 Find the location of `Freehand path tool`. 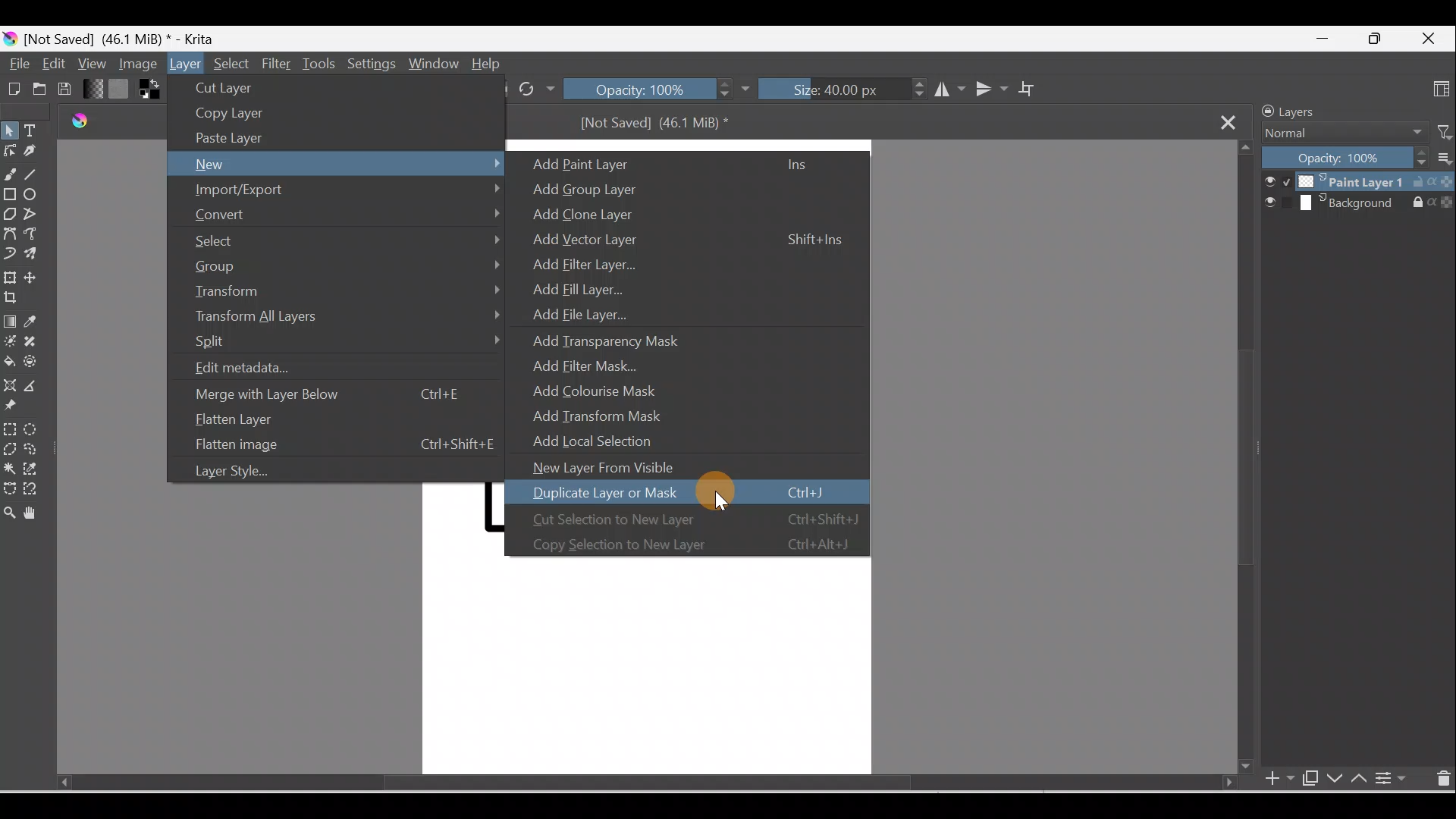

Freehand path tool is located at coordinates (38, 237).